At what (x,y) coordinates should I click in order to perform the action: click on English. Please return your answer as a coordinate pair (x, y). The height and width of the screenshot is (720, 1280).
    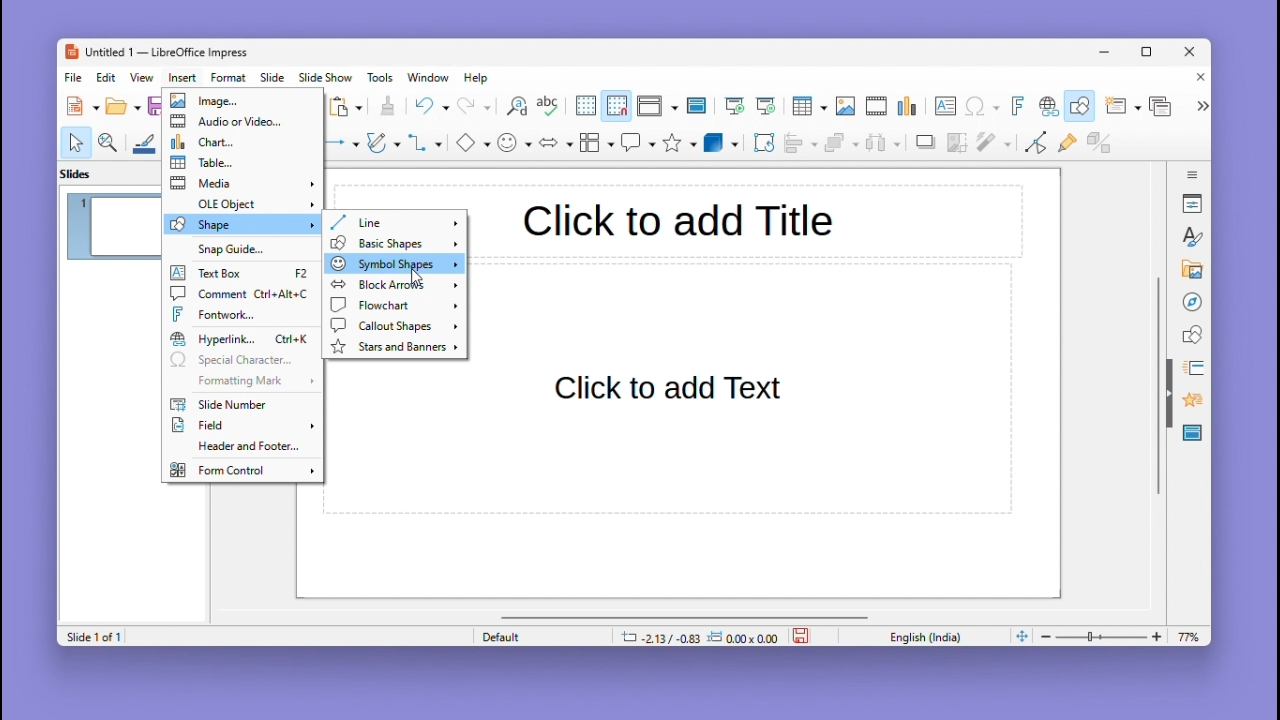
    Looking at the image, I should click on (930, 636).